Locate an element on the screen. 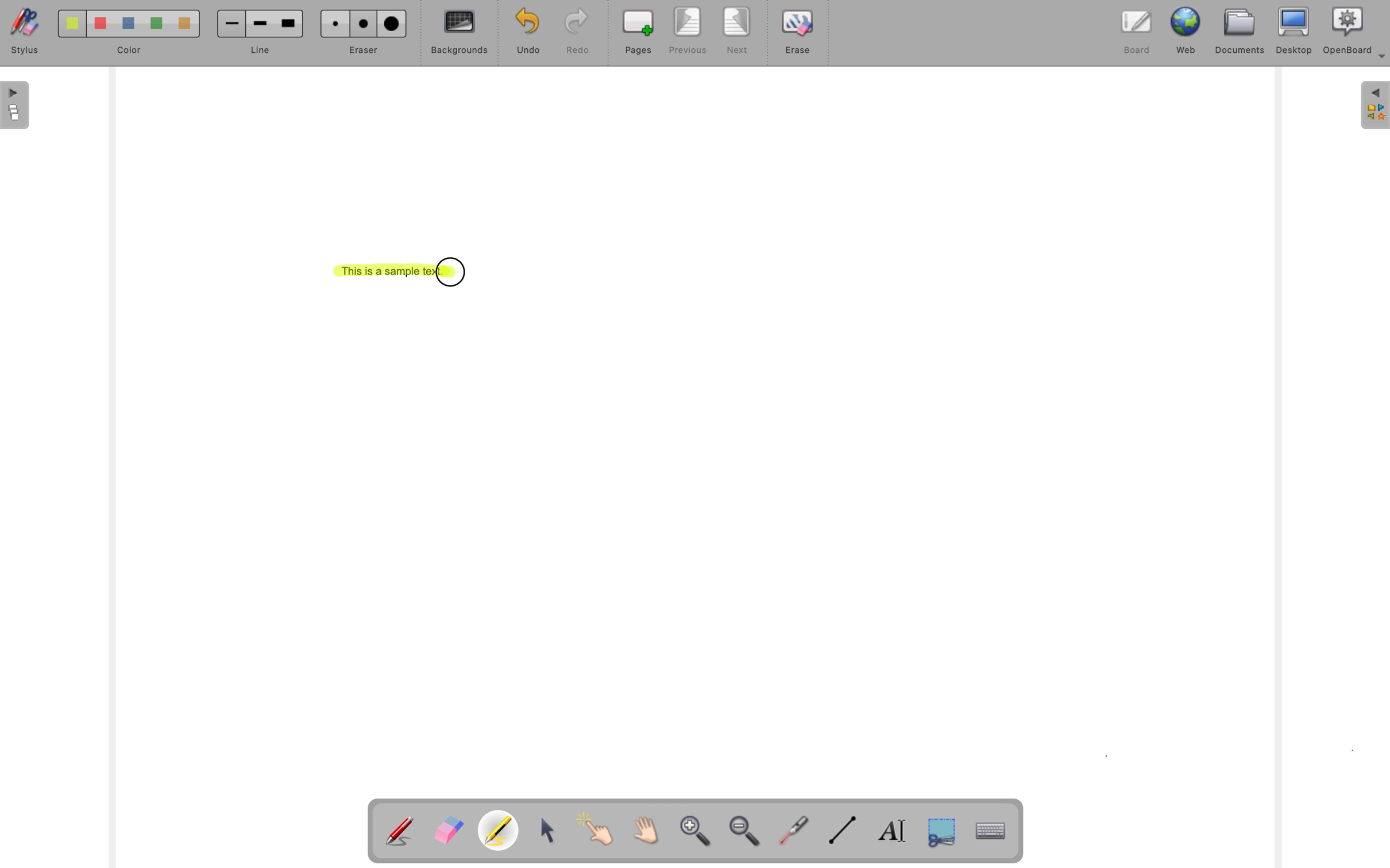 This screenshot has height=868, width=1390. next is located at coordinates (736, 31).